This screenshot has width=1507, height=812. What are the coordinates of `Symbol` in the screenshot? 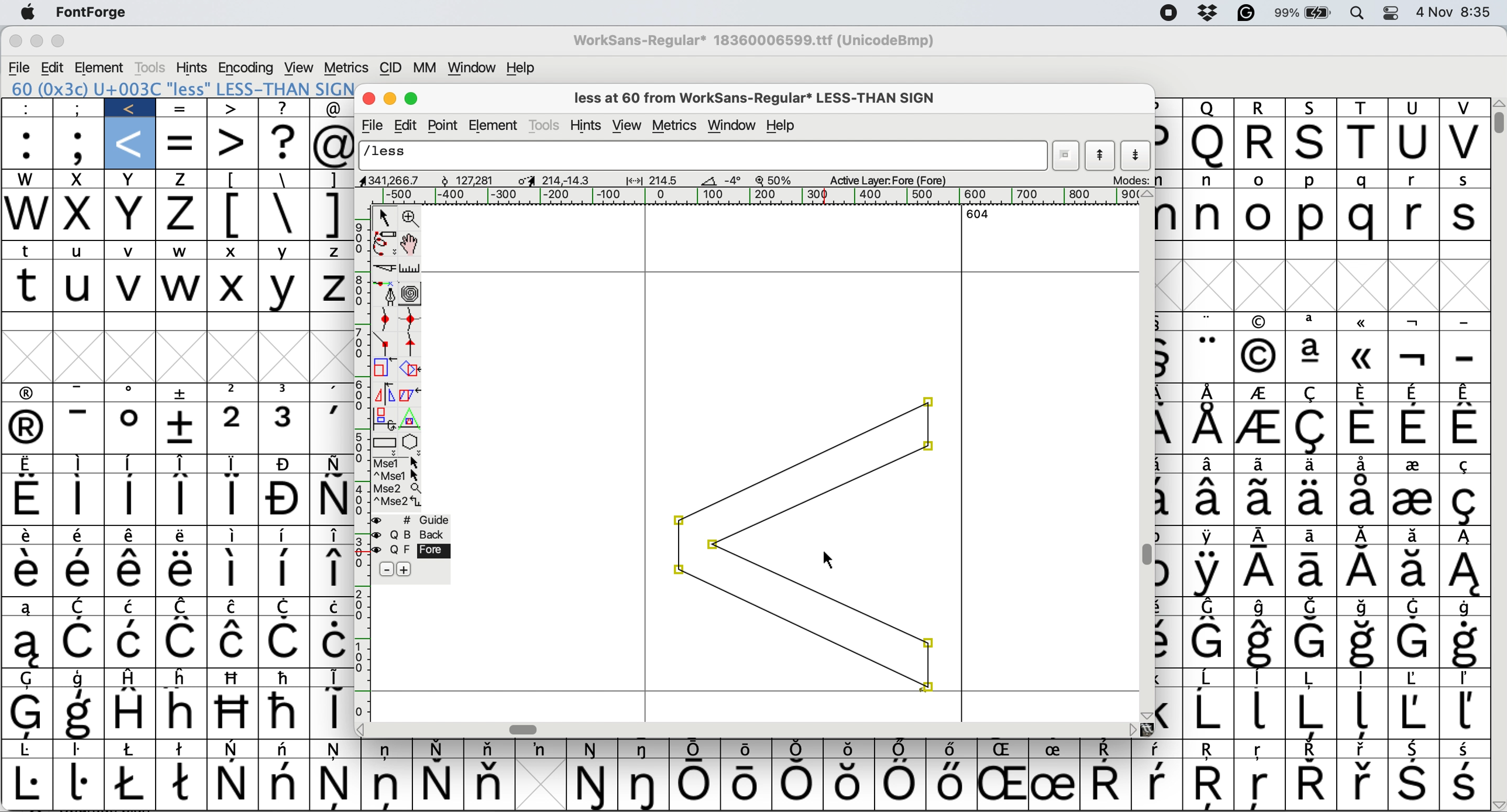 It's located at (1465, 784).